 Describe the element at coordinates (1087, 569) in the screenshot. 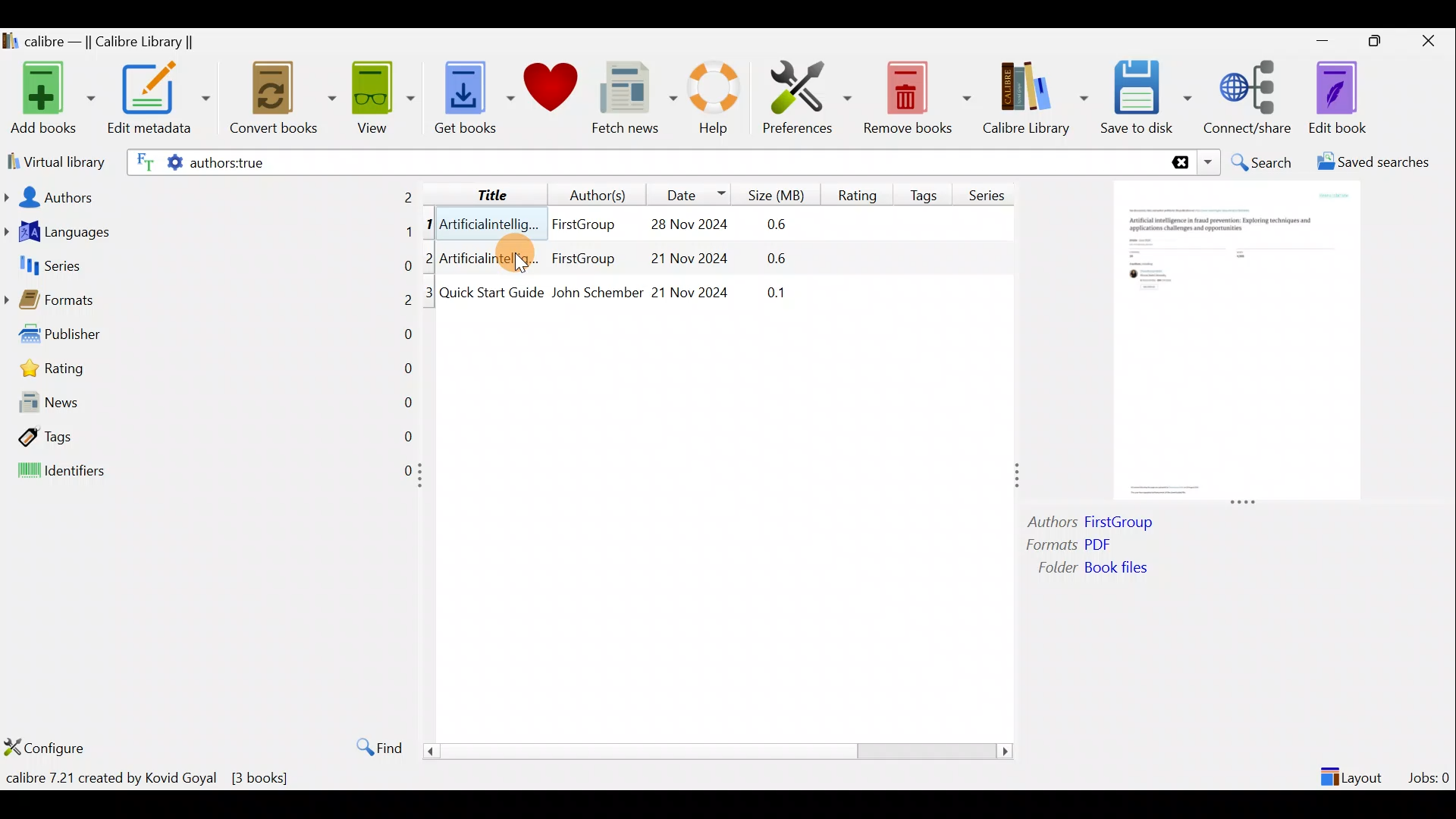

I see `Folder: Book files` at that location.